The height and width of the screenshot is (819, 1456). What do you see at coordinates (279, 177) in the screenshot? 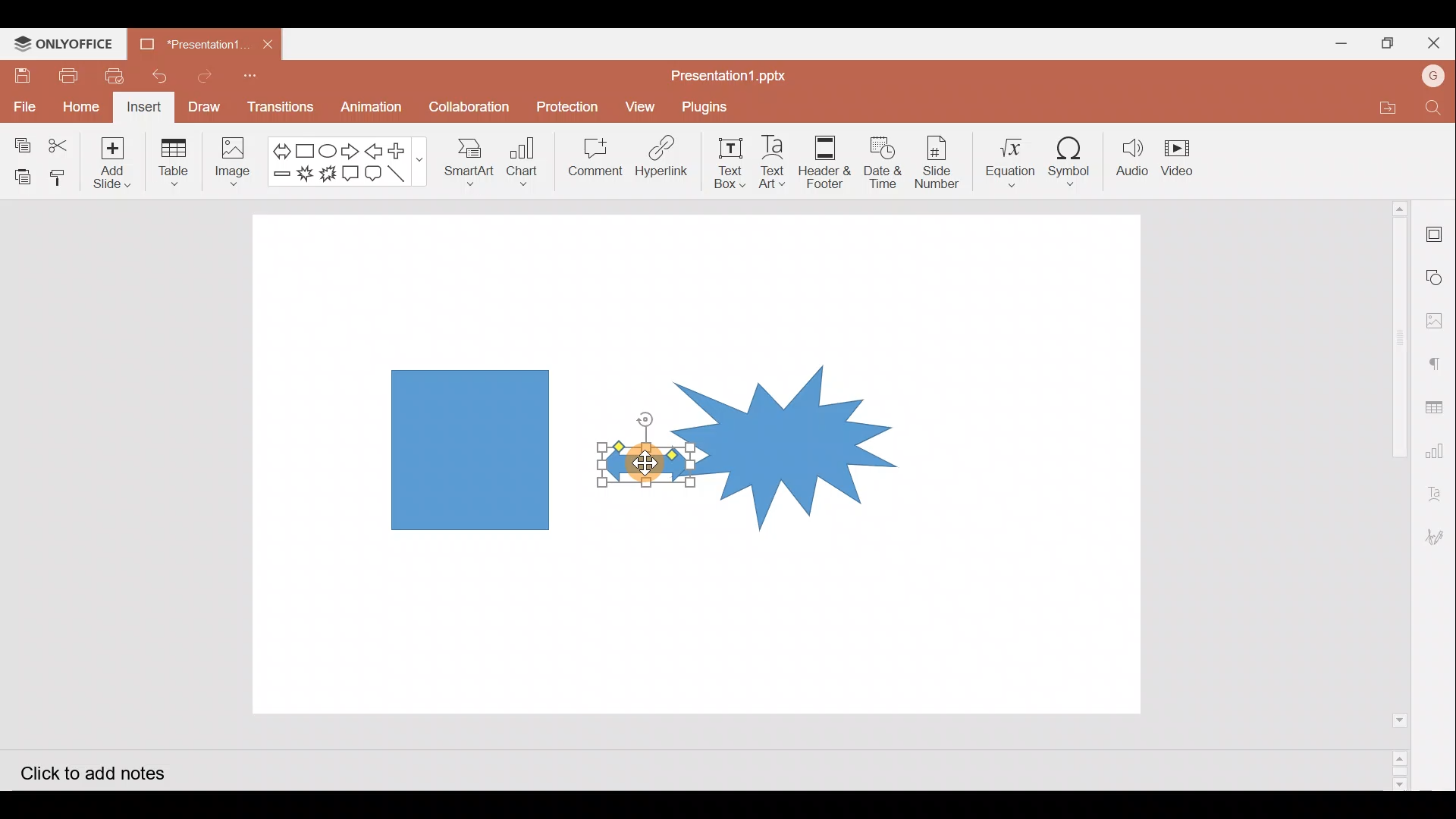
I see `Minus` at bounding box center [279, 177].